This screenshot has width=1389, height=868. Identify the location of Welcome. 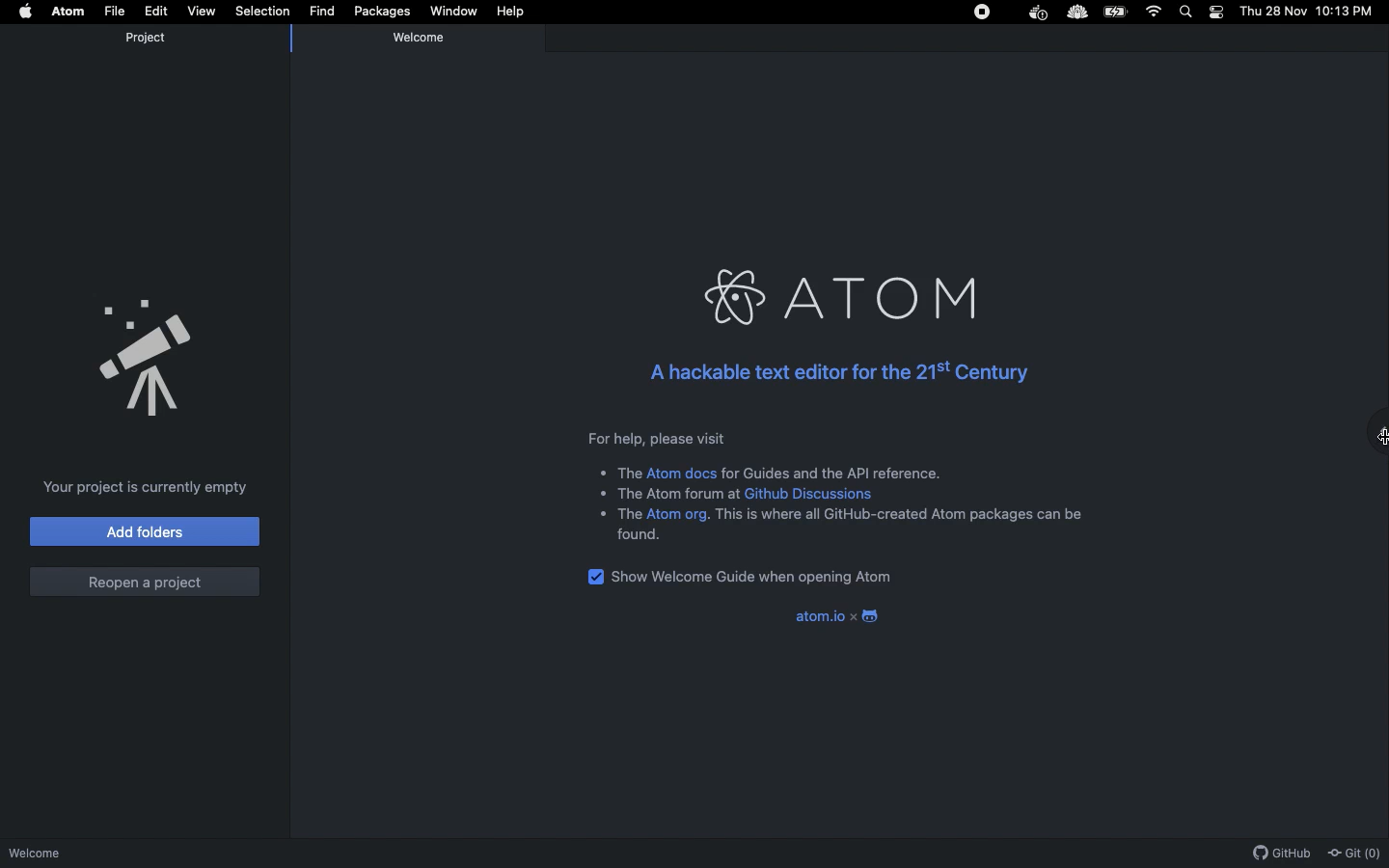
(429, 40).